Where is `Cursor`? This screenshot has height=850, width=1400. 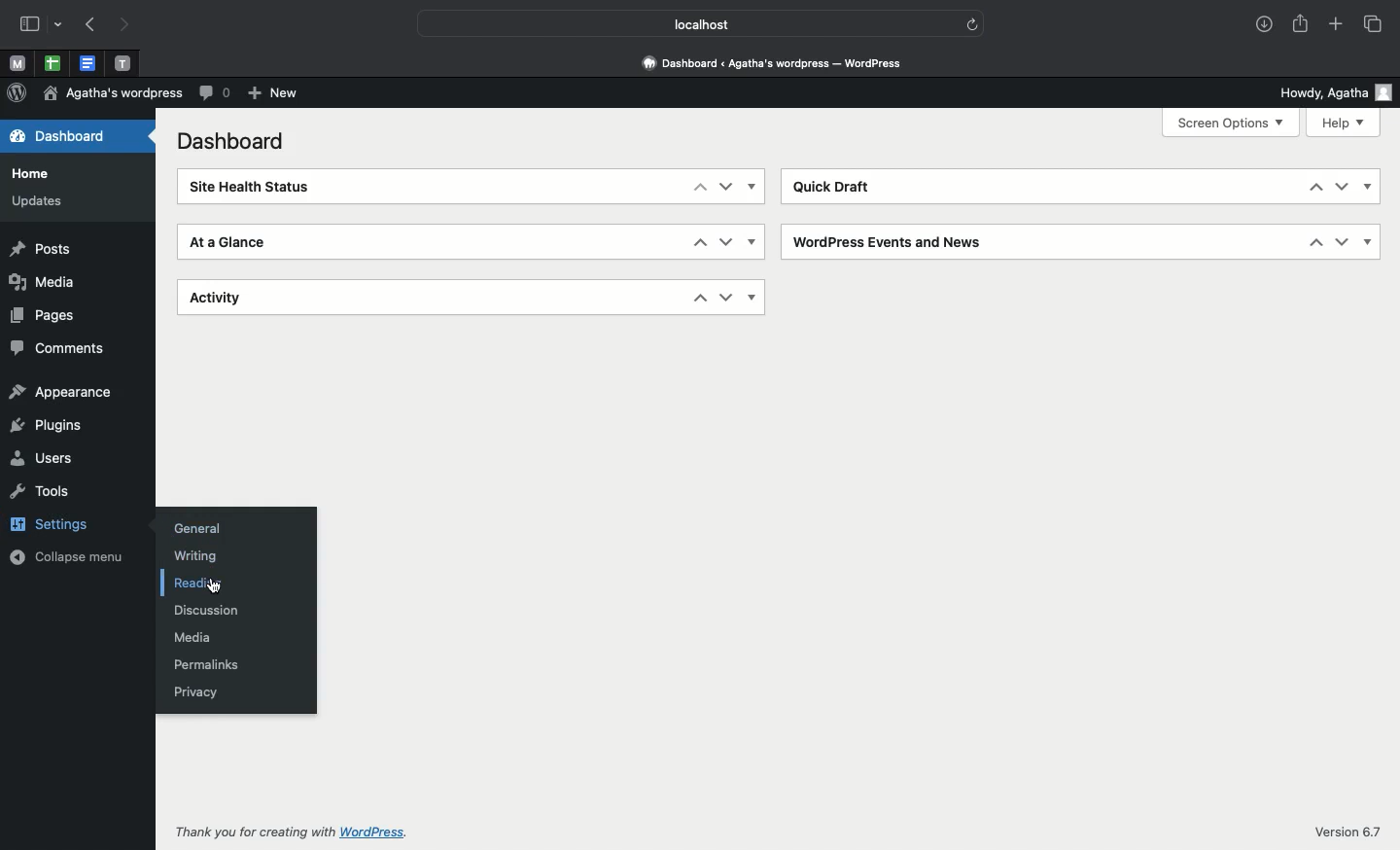 Cursor is located at coordinates (219, 585).